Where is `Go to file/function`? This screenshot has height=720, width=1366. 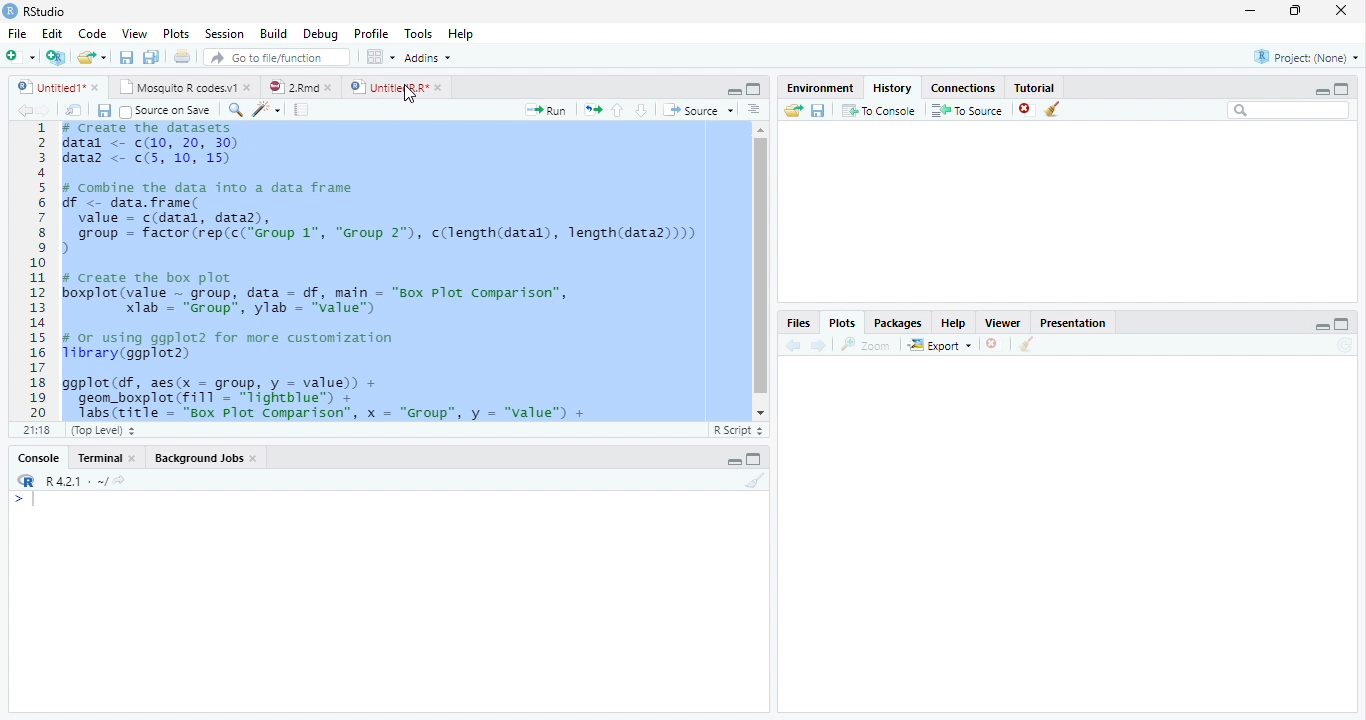
Go to file/function is located at coordinates (278, 57).